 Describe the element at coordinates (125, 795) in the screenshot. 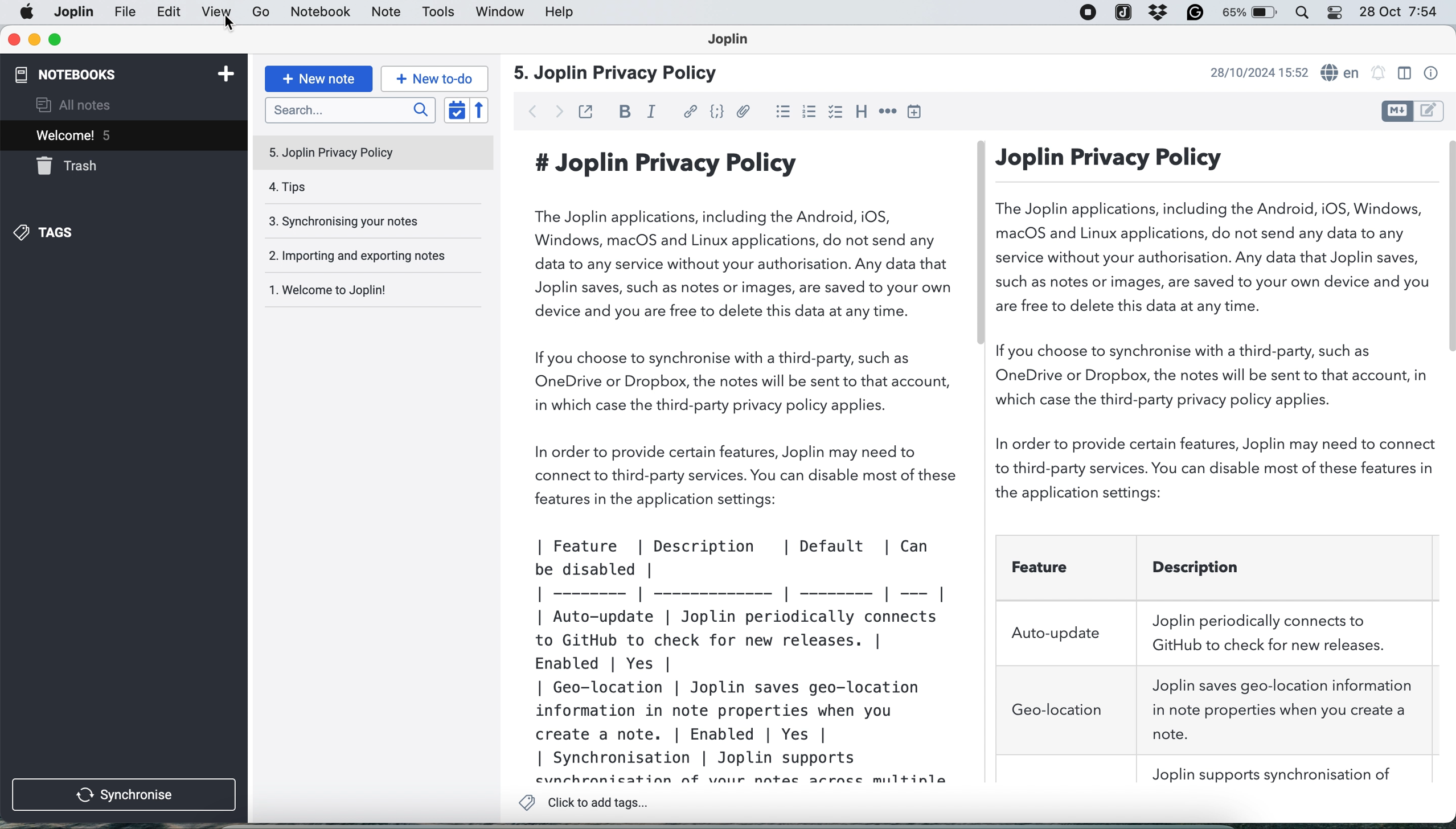

I see `synchronise` at that location.